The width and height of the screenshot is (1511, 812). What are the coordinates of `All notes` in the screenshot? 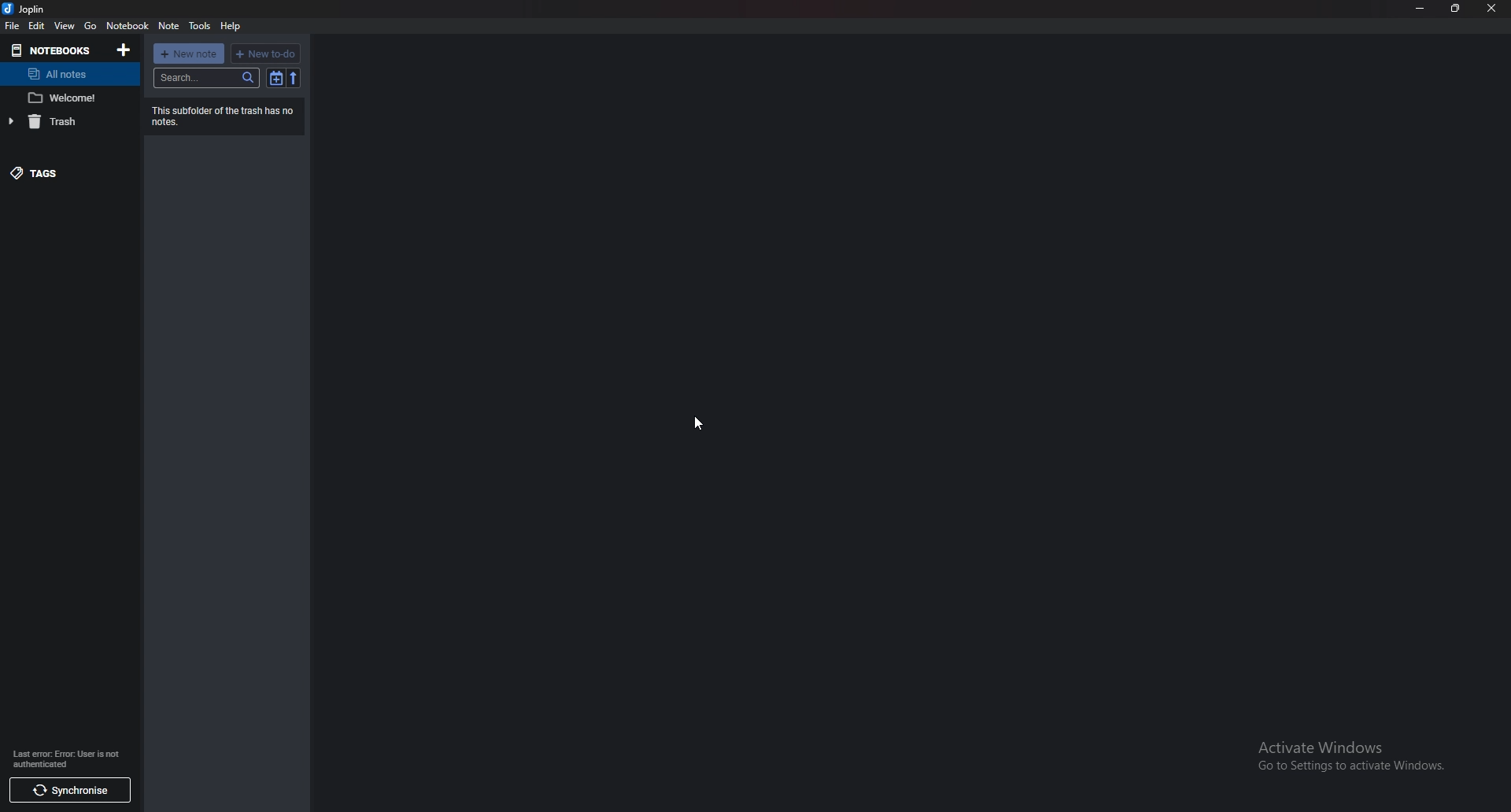 It's located at (68, 74).